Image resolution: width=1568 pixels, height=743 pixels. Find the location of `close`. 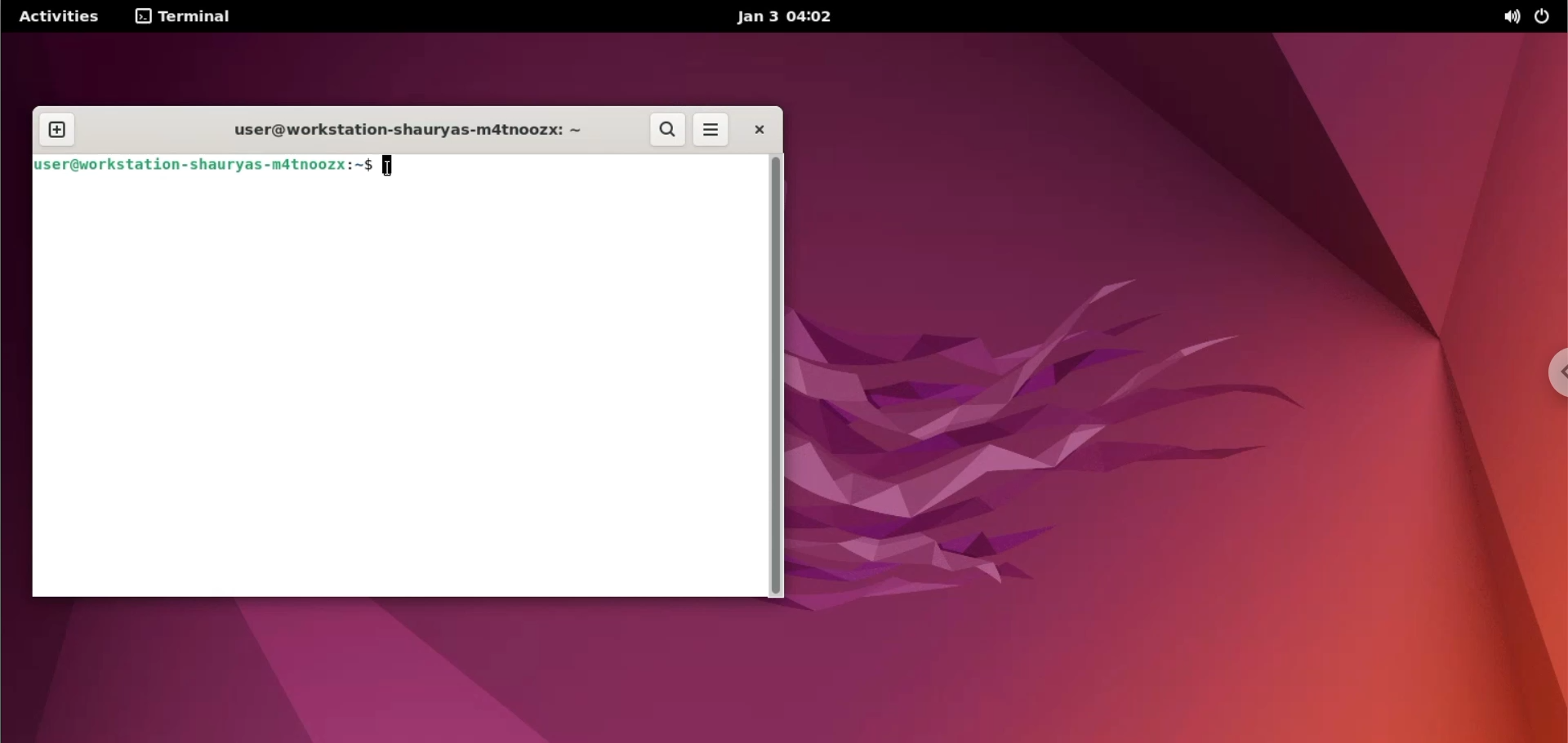

close is located at coordinates (761, 130).